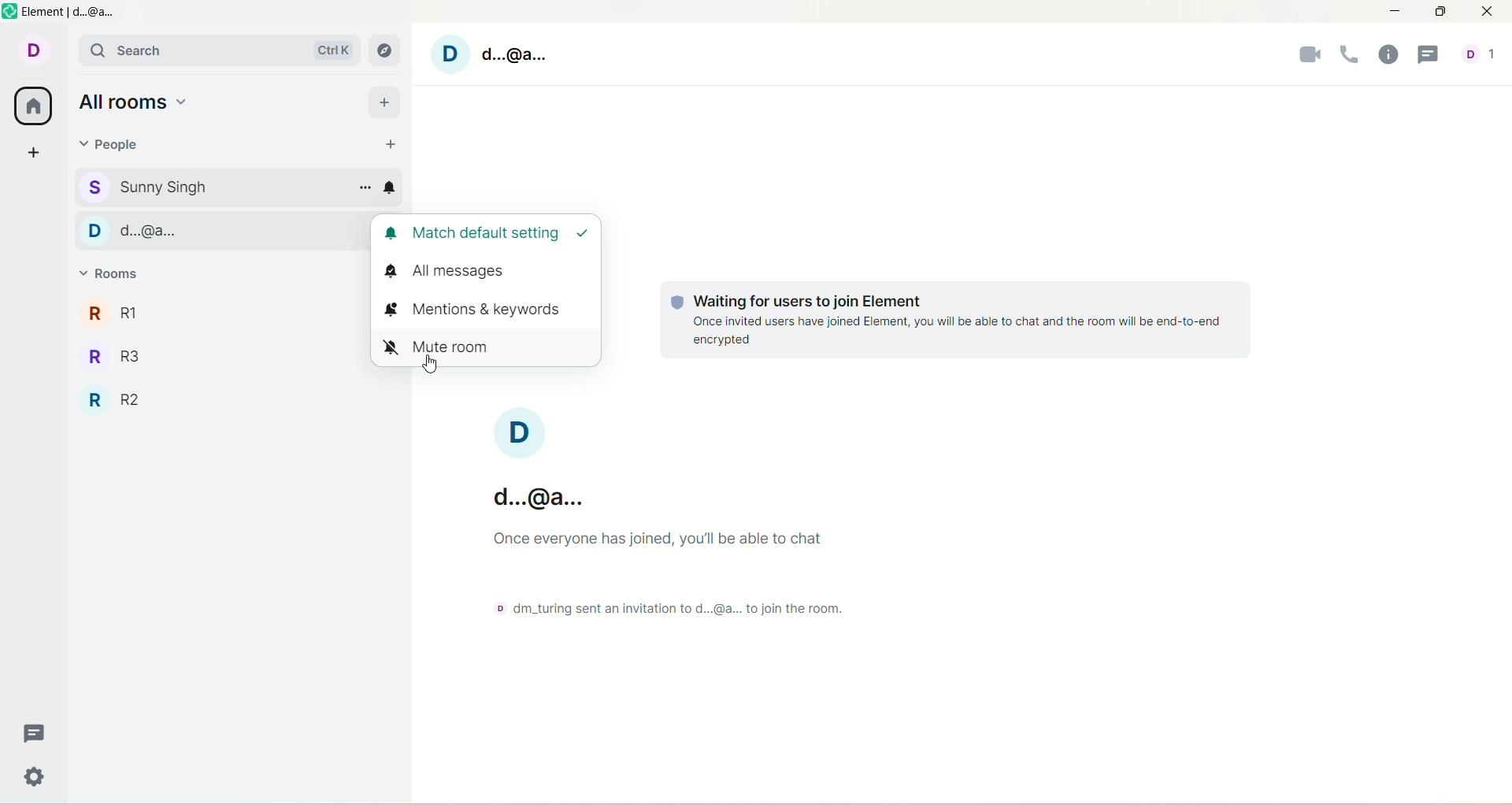 The height and width of the screenshot is (805, 1512). I want to click on R3, so click(216, 354).